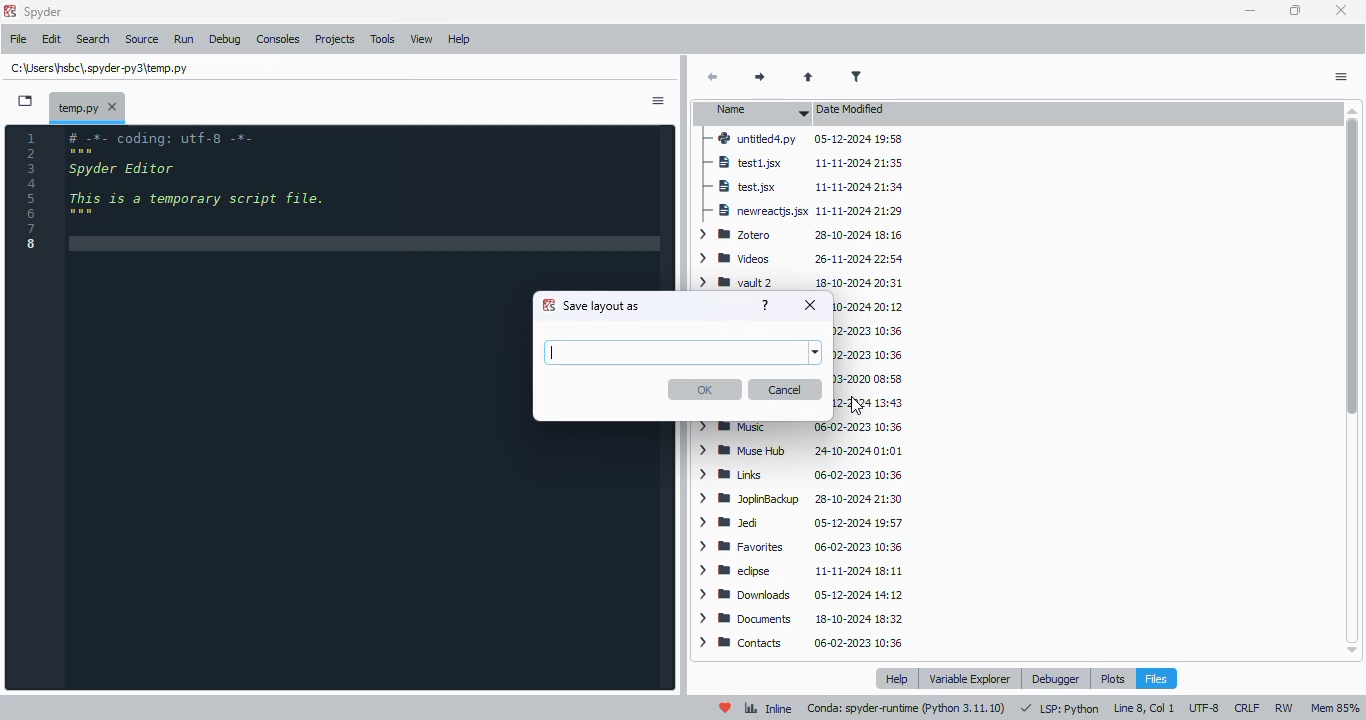  Describe the element at coordinates (1056, 679) in the screenshot. I see `debugger` at that location.